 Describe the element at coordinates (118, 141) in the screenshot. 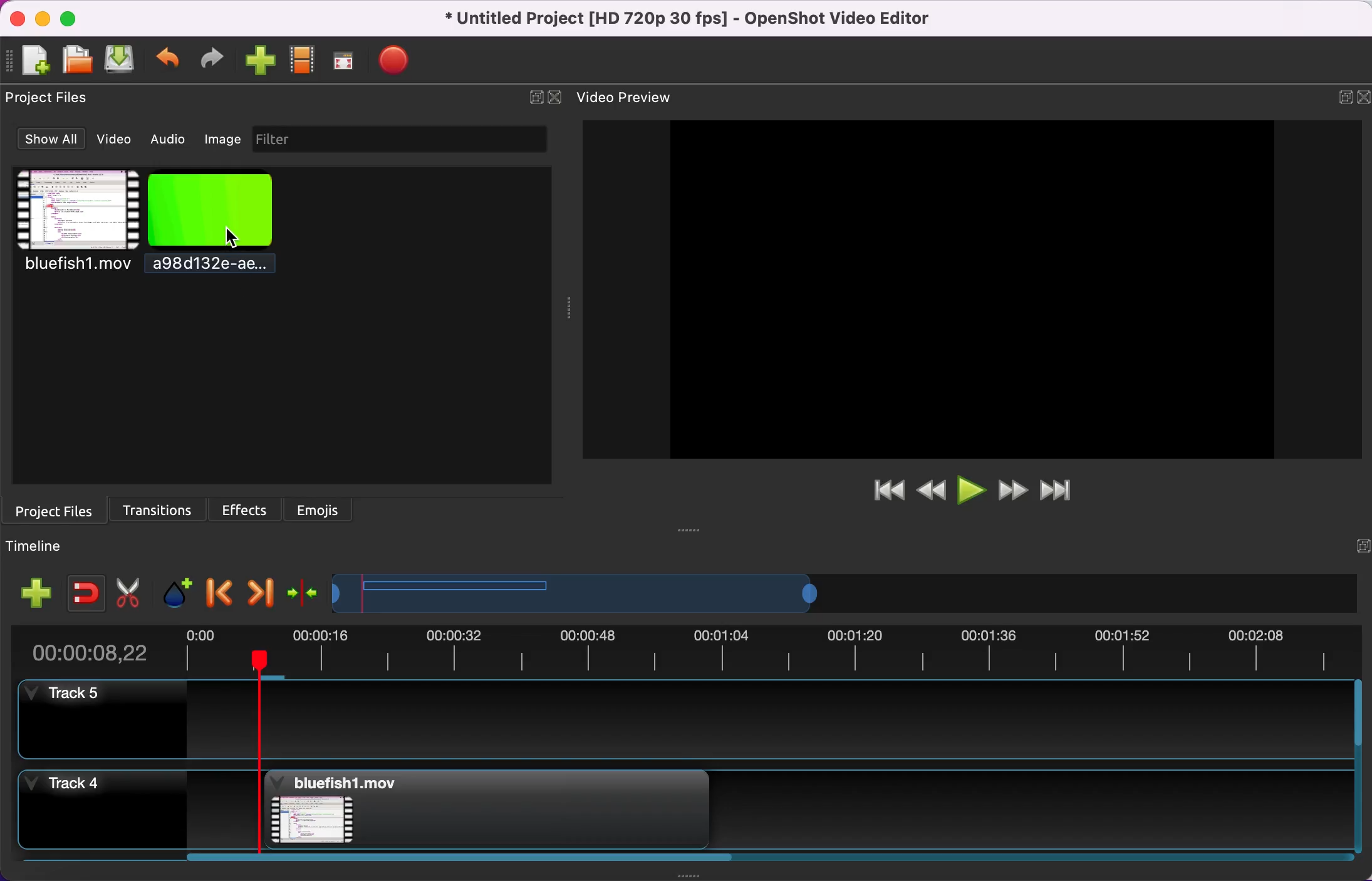

I see `video` at that location.